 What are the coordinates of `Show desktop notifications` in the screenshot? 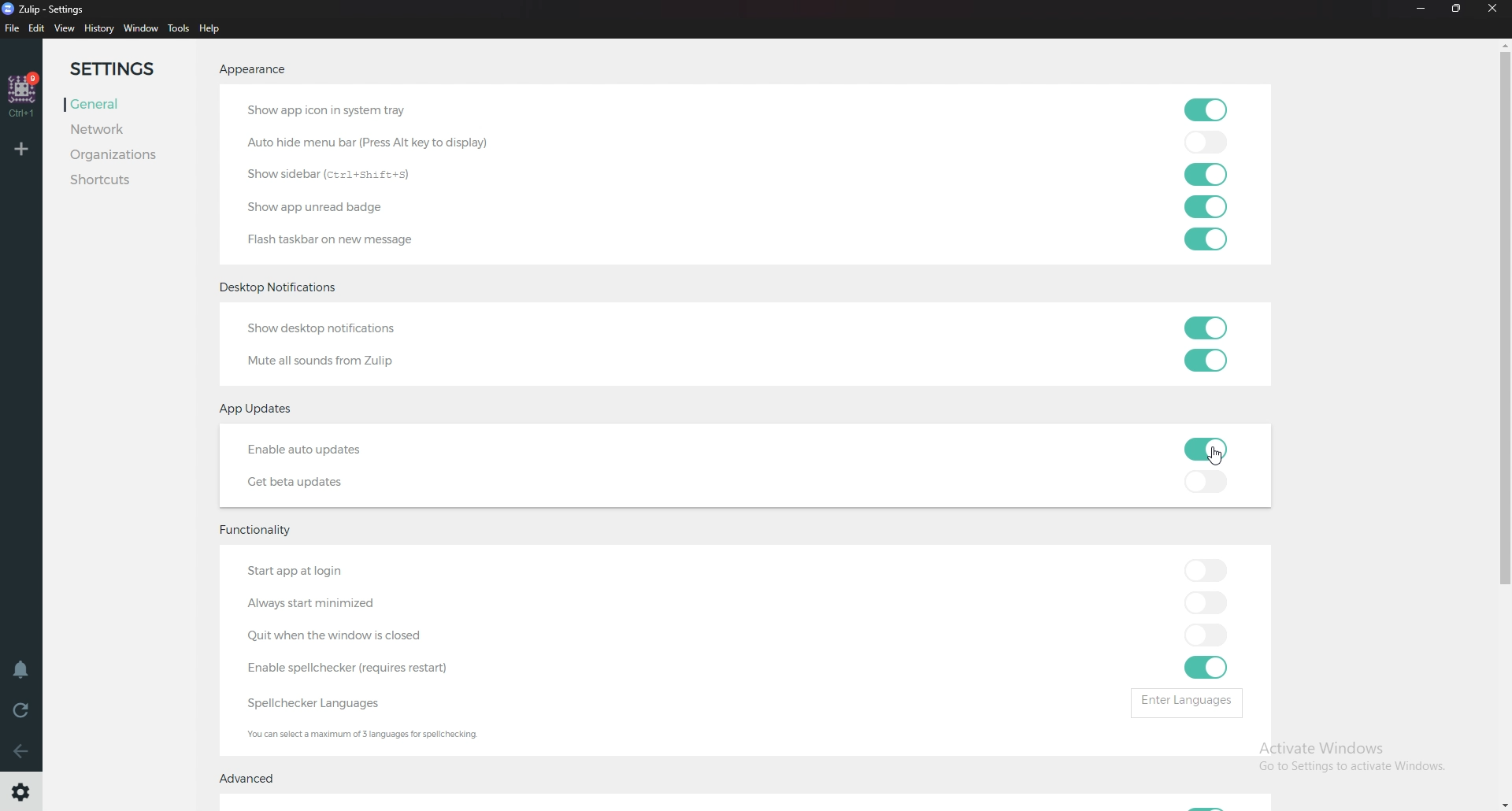 It's located at (336, 328).